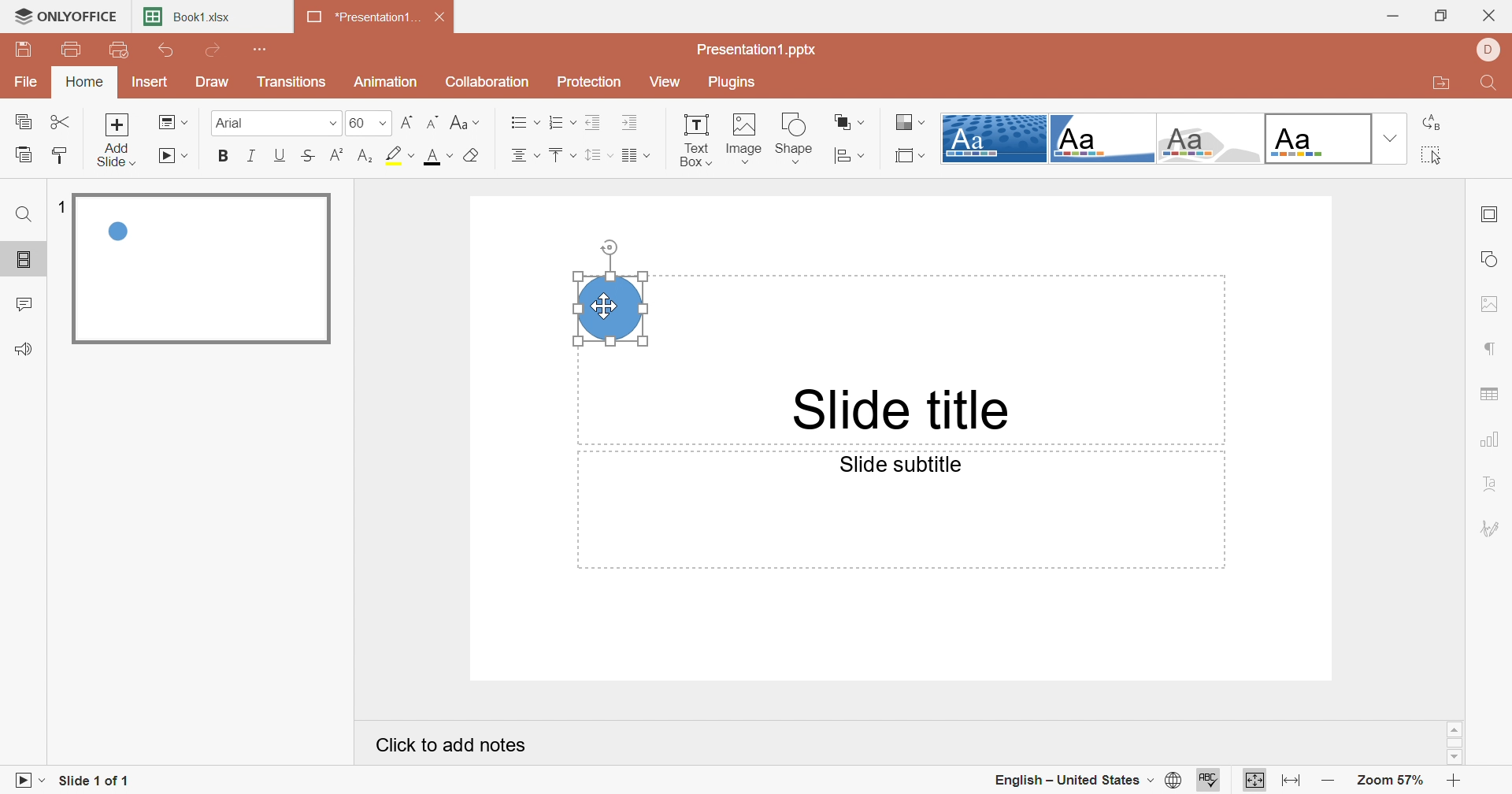 The width and height of the screenshot is (1512, 794). I want to click on Corner, so click(1101, 142).